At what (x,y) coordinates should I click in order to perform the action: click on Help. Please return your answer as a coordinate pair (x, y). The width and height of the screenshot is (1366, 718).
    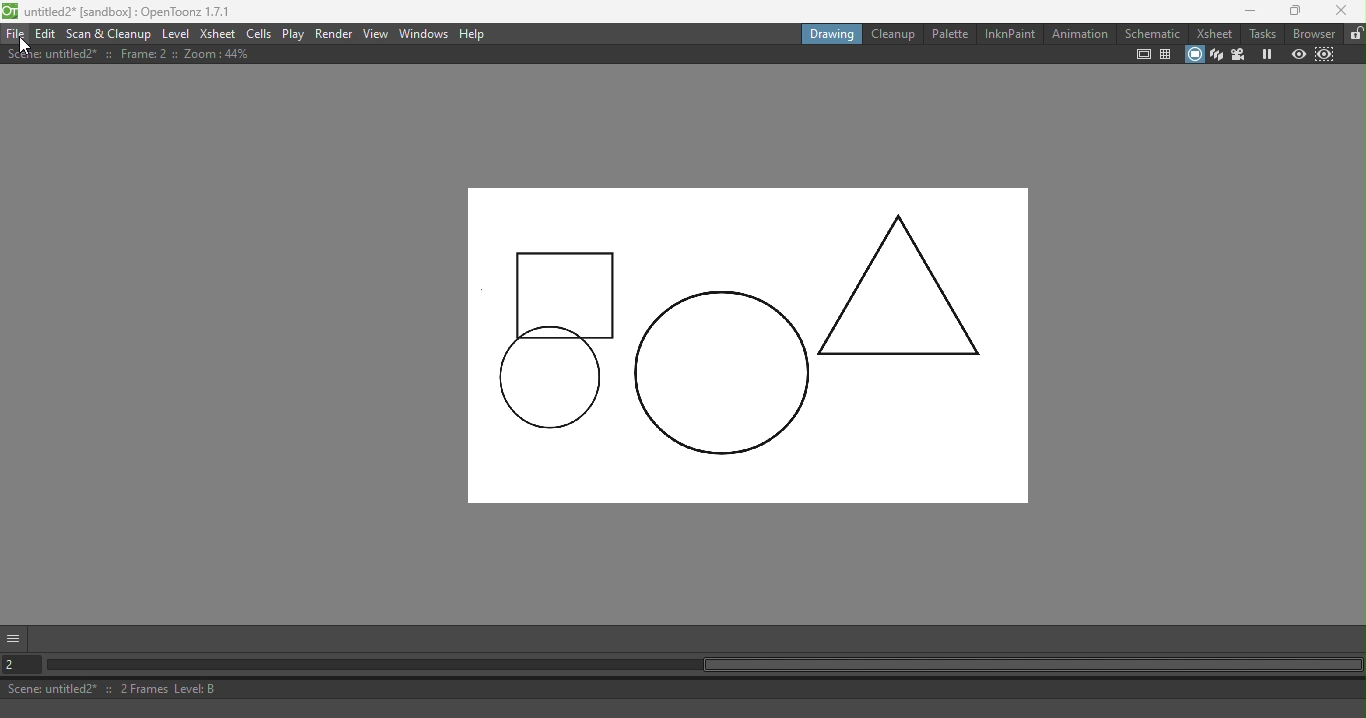
    Looking at the image, I should click on (473, 34).